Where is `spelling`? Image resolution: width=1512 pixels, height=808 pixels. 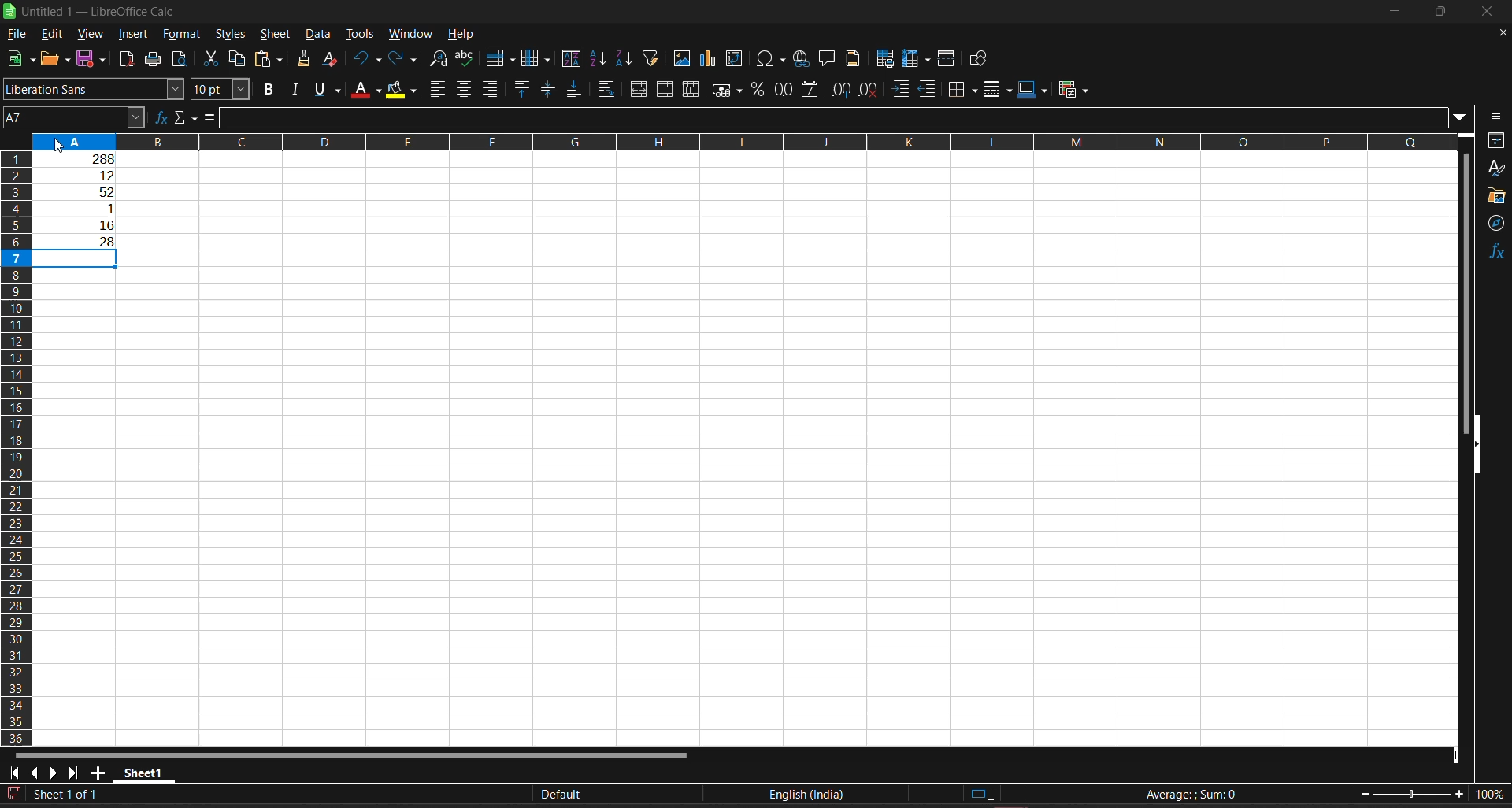
spelling is located at coordinates (465, 58).